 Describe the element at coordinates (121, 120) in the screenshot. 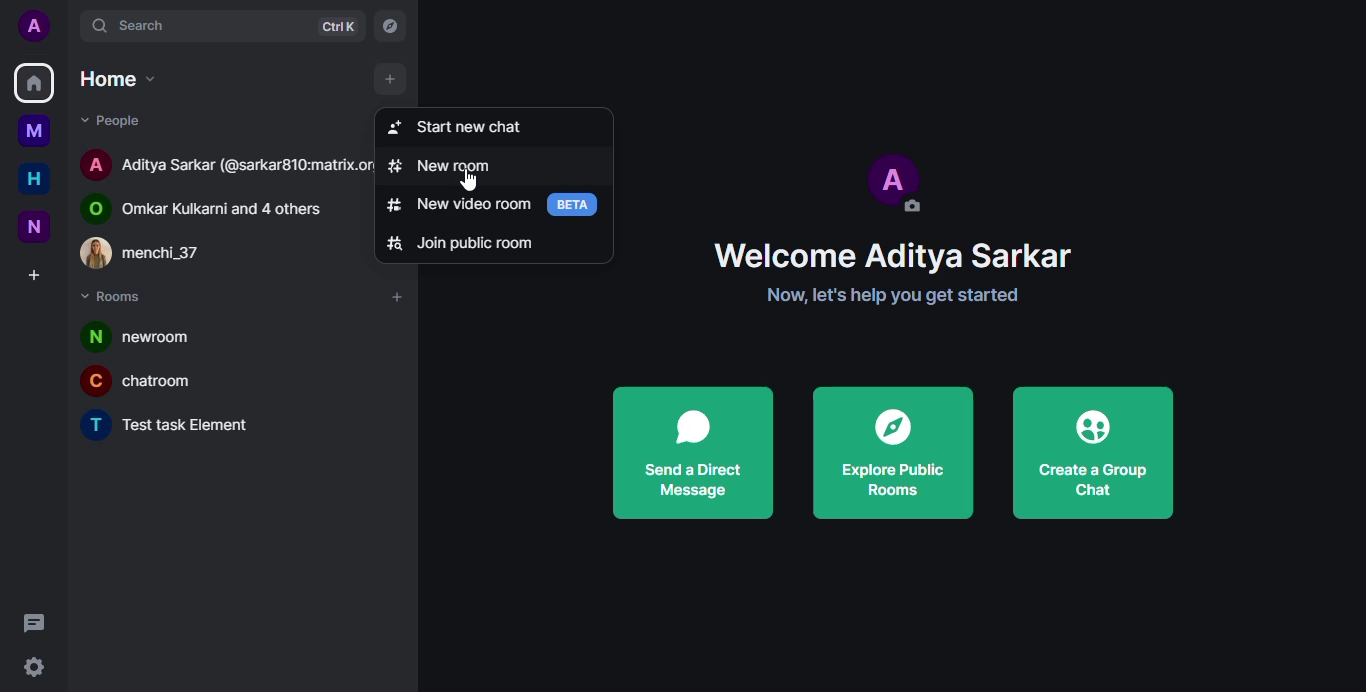

I see `people dropdown` at that location.